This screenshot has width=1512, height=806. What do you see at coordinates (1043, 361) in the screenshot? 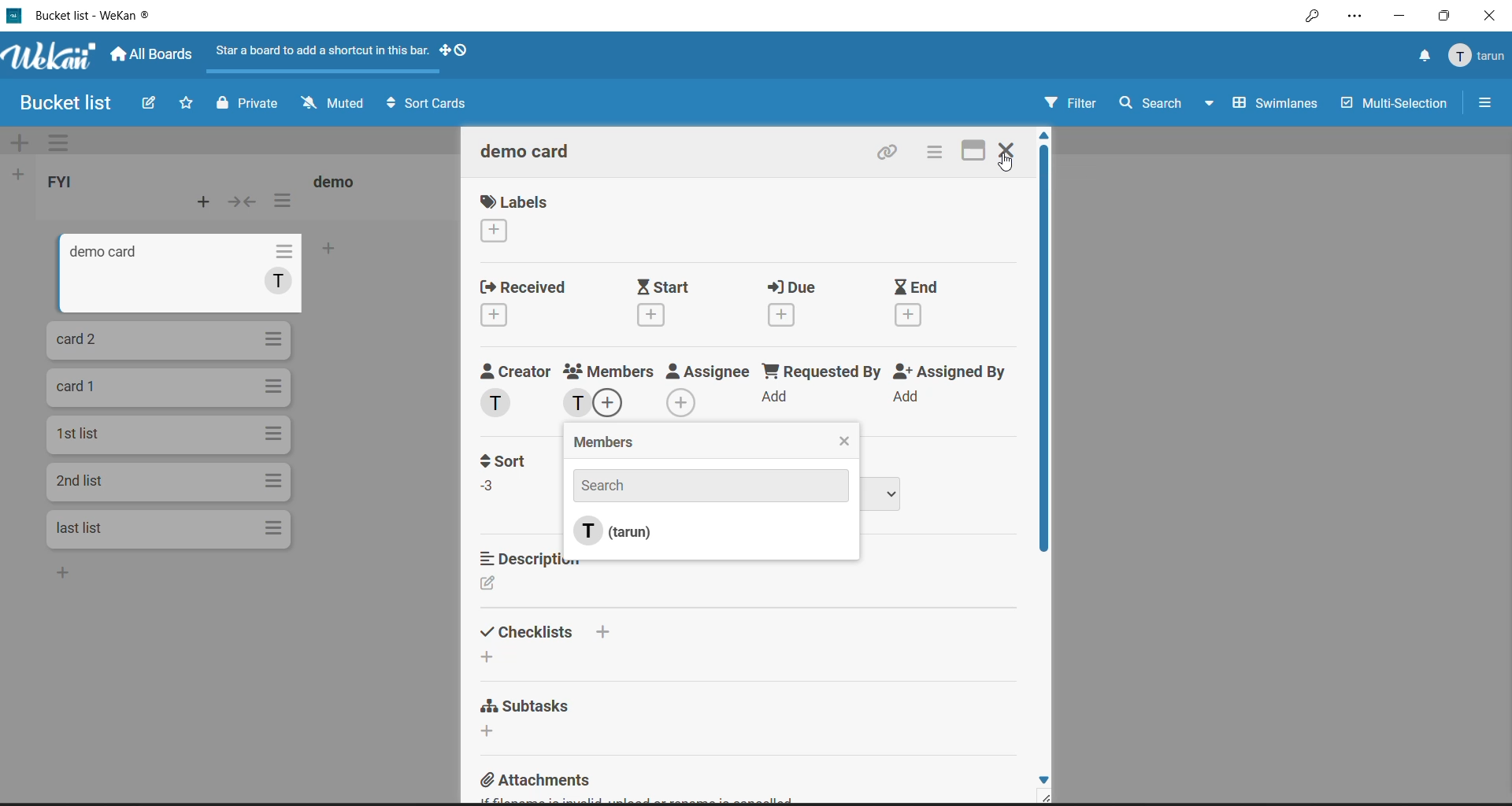
I see `vertical scroll bar` at bounding box center [1043, 361].